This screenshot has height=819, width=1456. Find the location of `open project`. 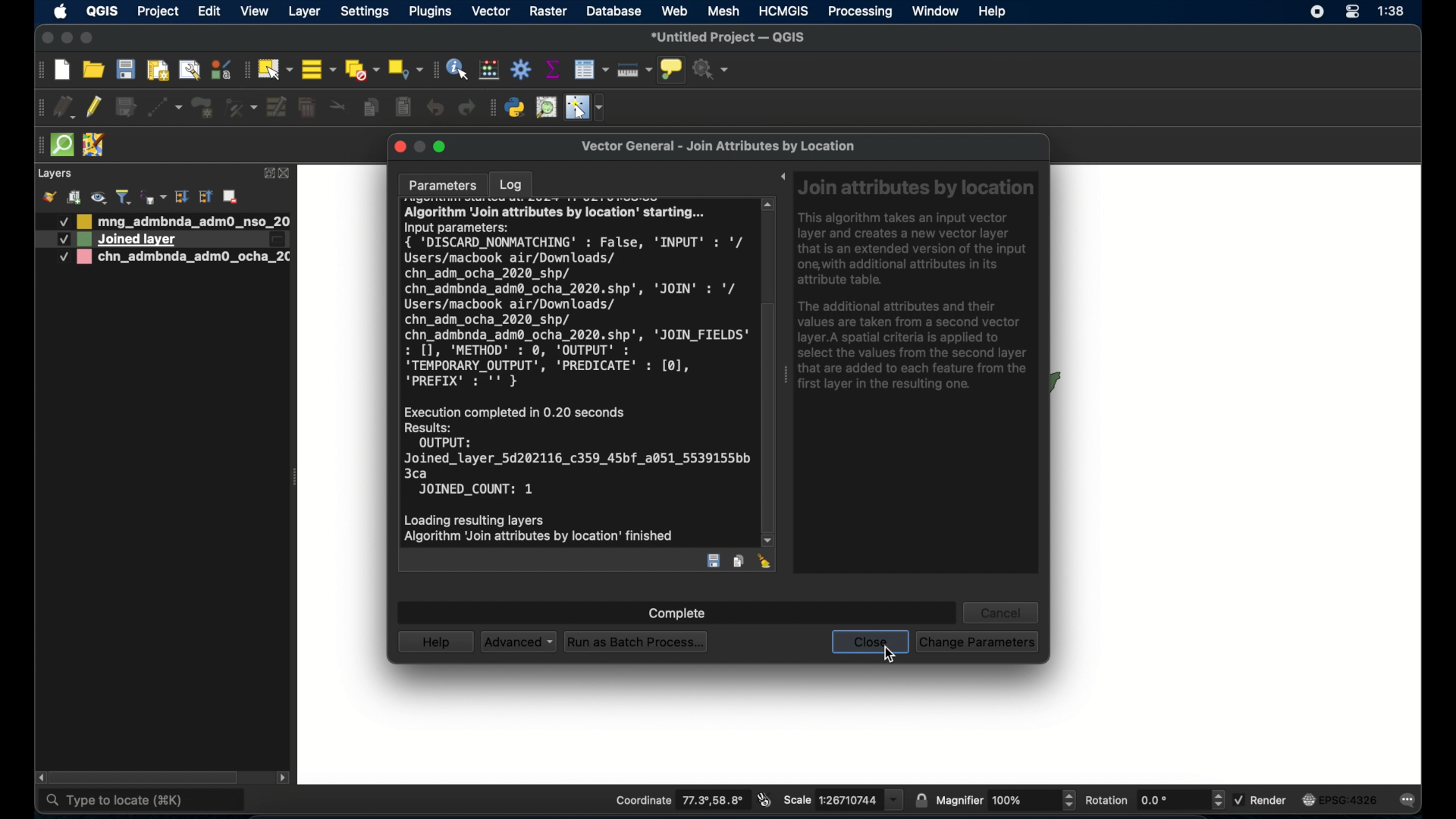

open project is located at coordinates (92, 70).